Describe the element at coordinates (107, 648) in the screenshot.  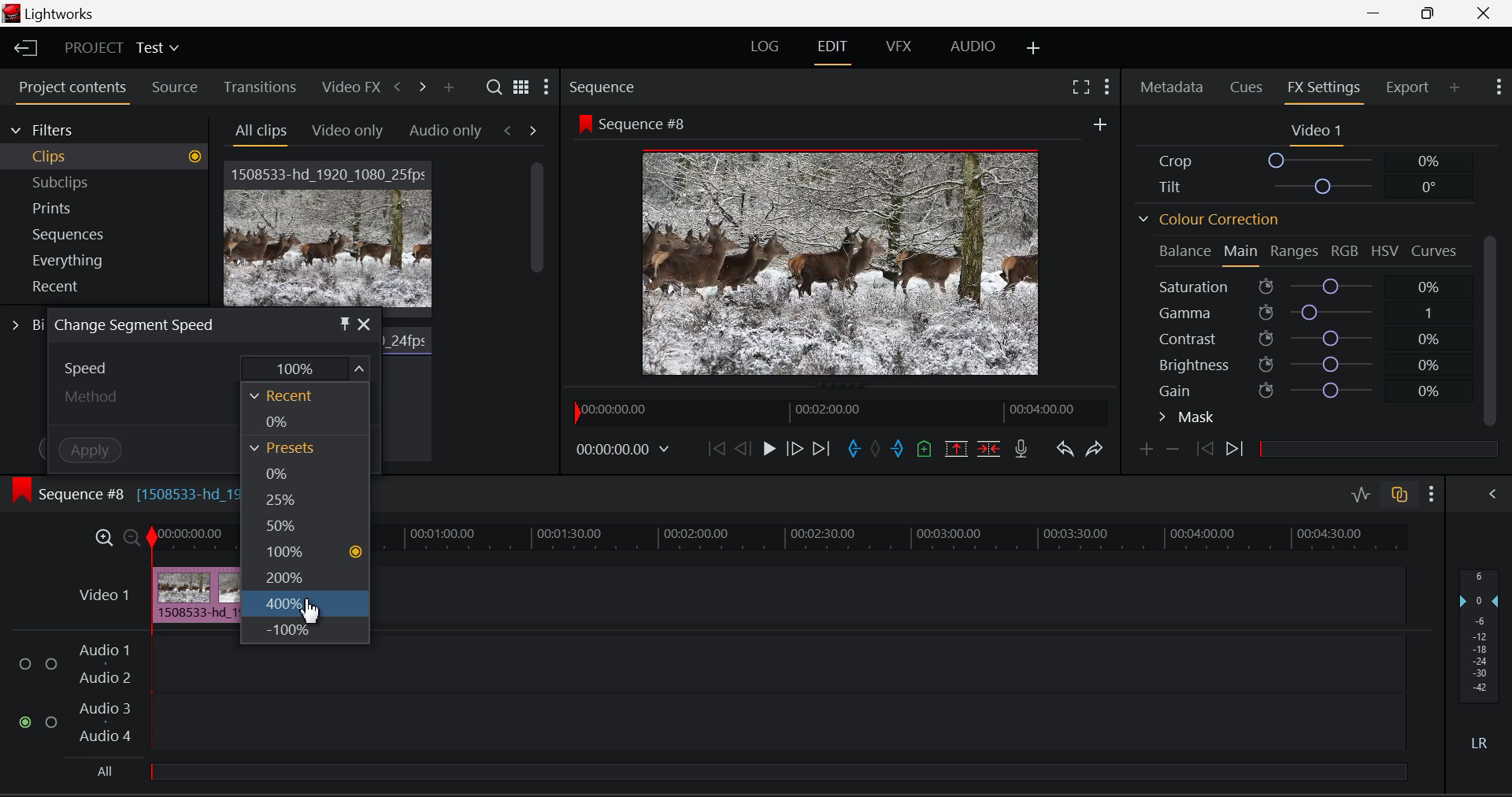
I see `Audio 1` at that location.